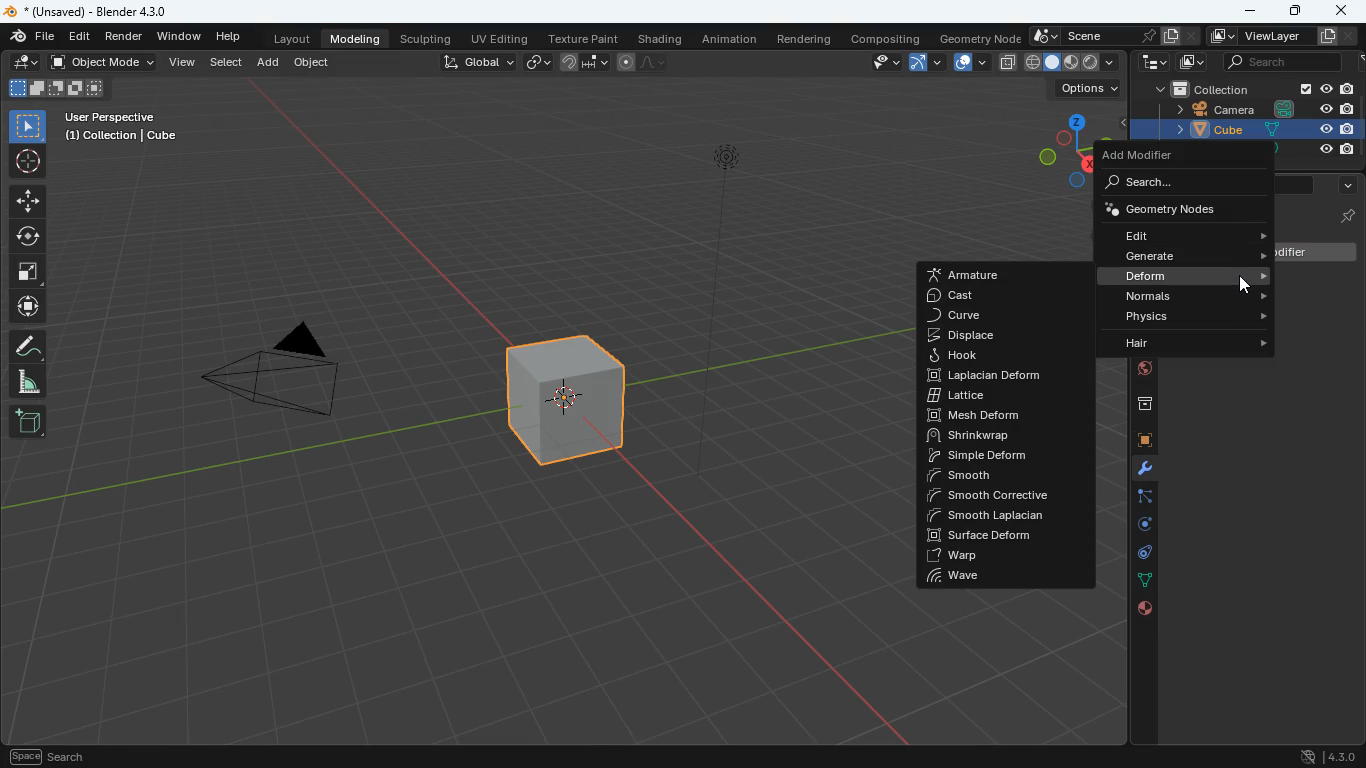  Describe the element at coordinates (1135, 372) in the screenshot. I see `globe` at that location.